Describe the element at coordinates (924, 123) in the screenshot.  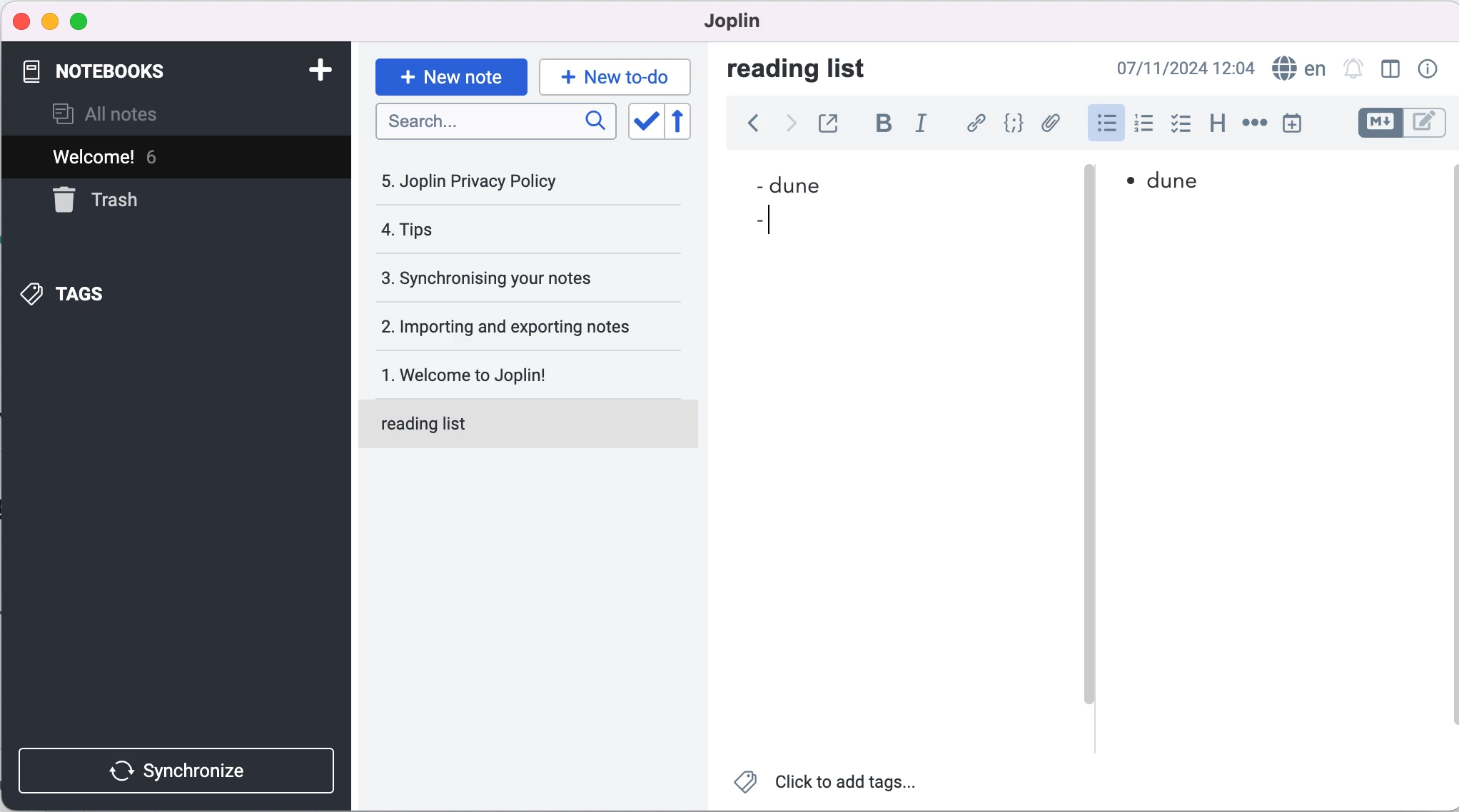
I see `italic` at that location.